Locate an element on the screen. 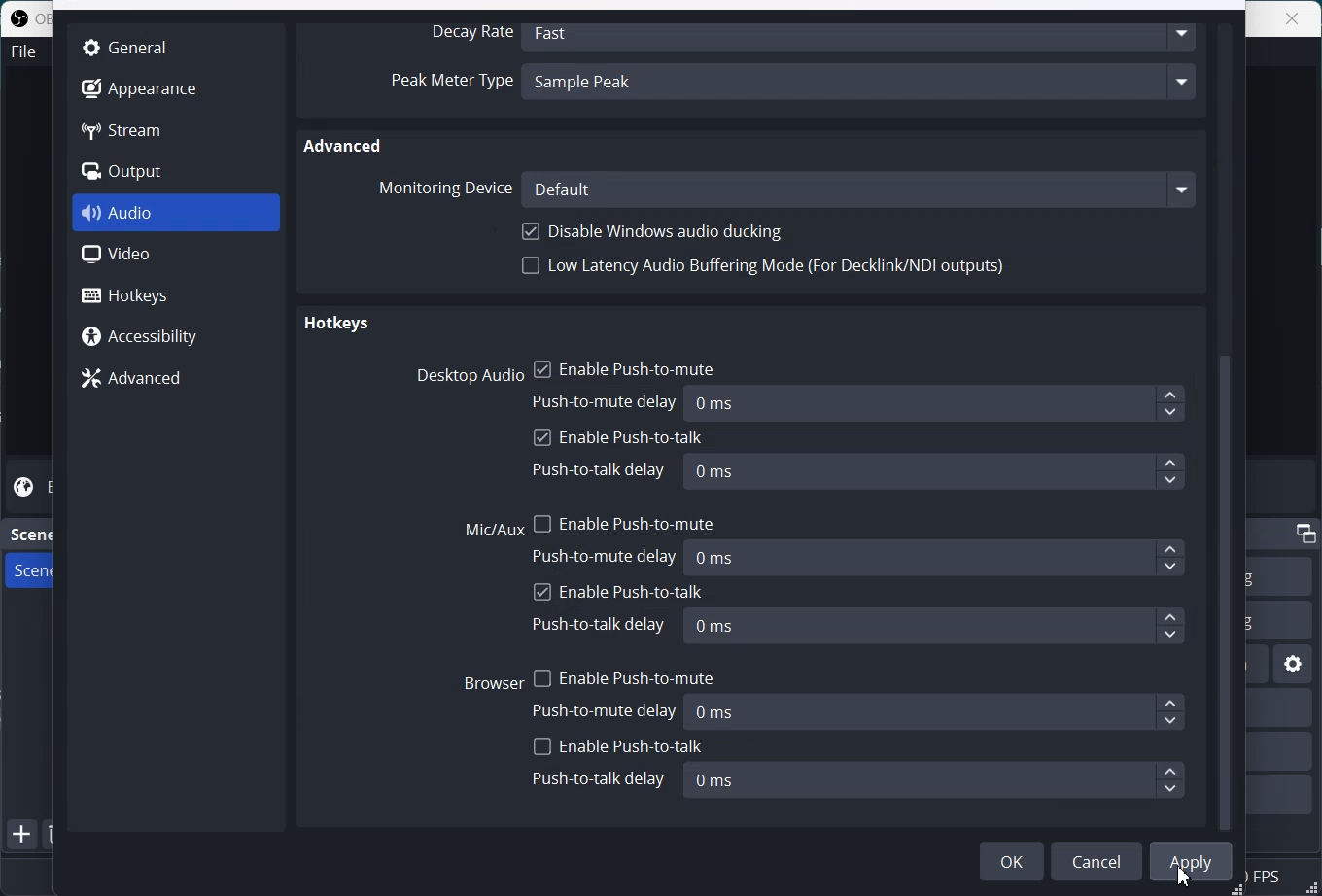  Cancel is located at coordinates (1096, 861).